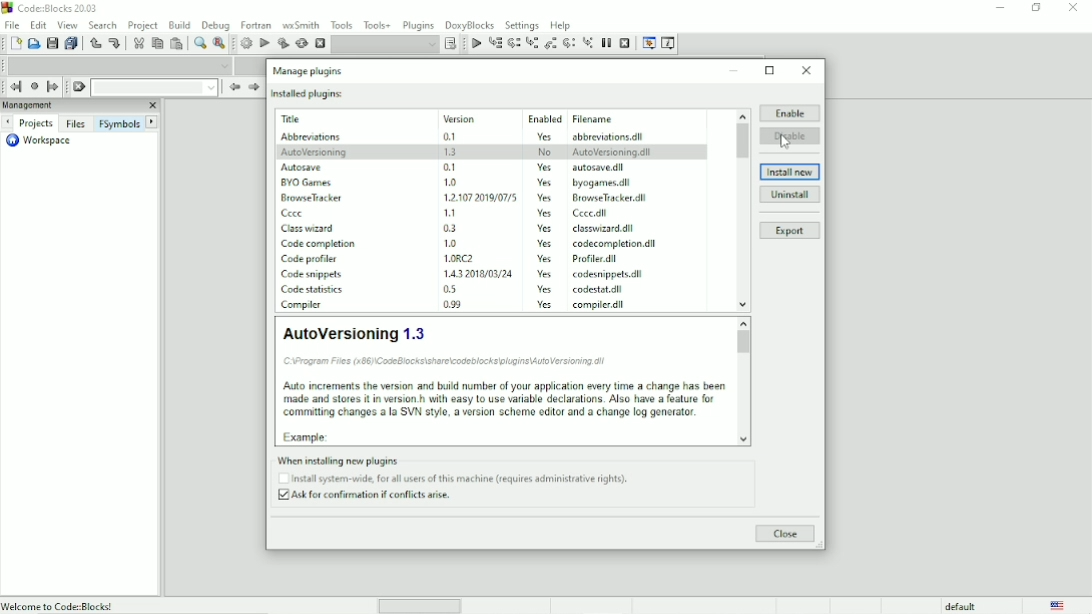 This screenshot has height=614, width=1092. Describe the element at coordinates (59, 605) in the screenshot. I see `Welcome to Code::Blocks!` at that location.